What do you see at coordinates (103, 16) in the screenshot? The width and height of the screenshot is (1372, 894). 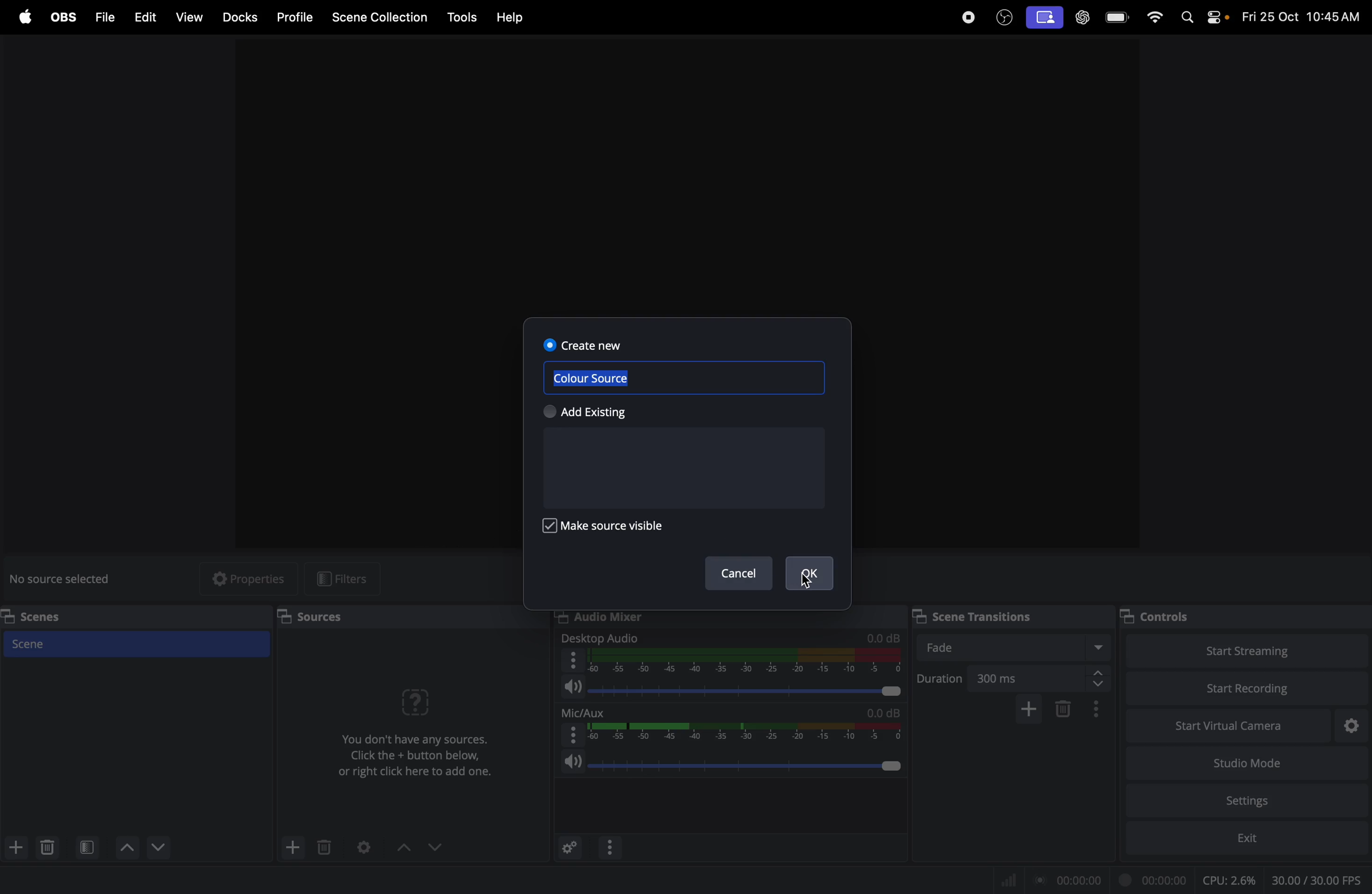 I see `Files` at bounding box center [103, 16].